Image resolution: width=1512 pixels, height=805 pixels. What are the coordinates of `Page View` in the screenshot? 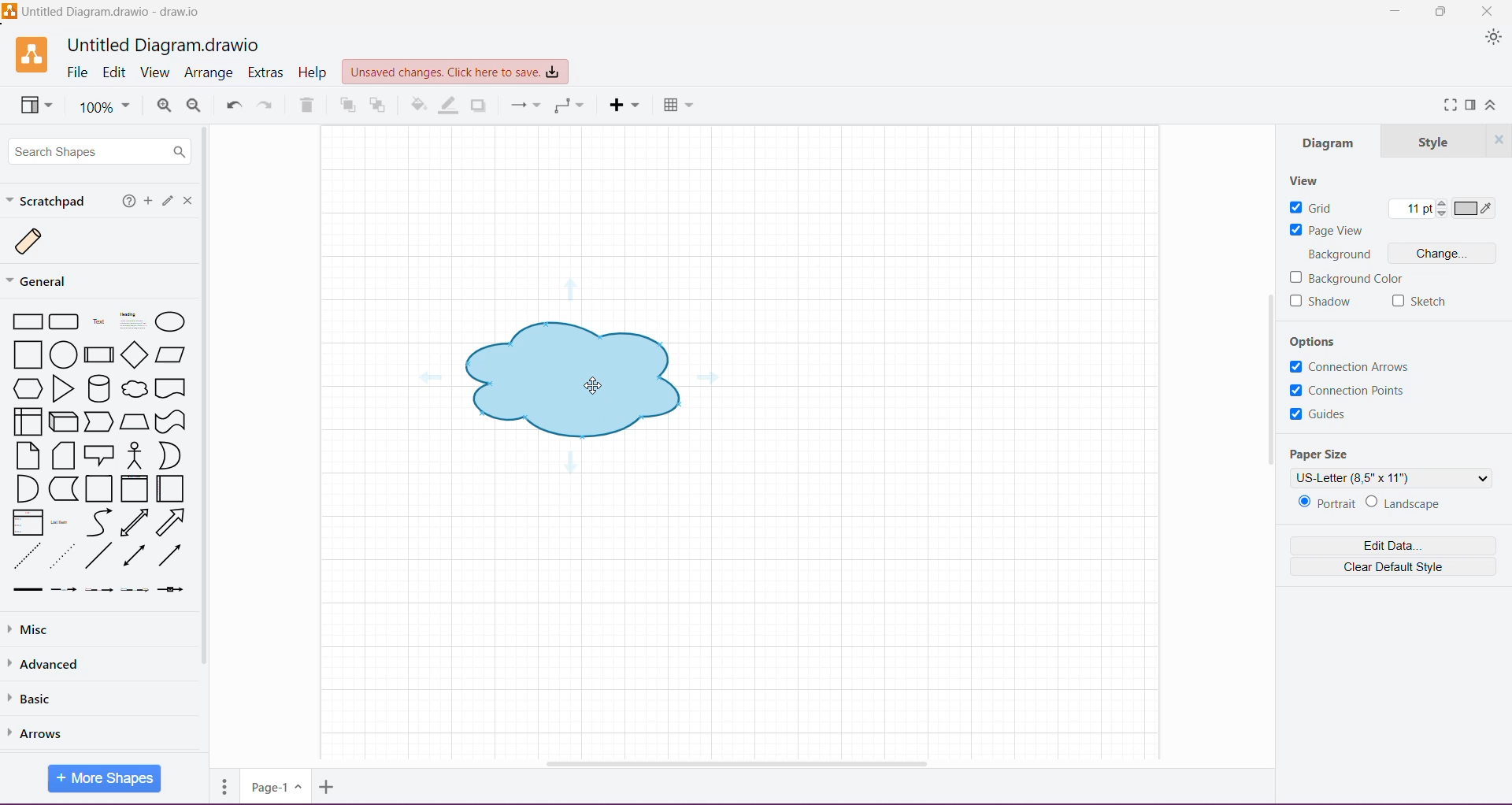 It's located at (1328, 231).